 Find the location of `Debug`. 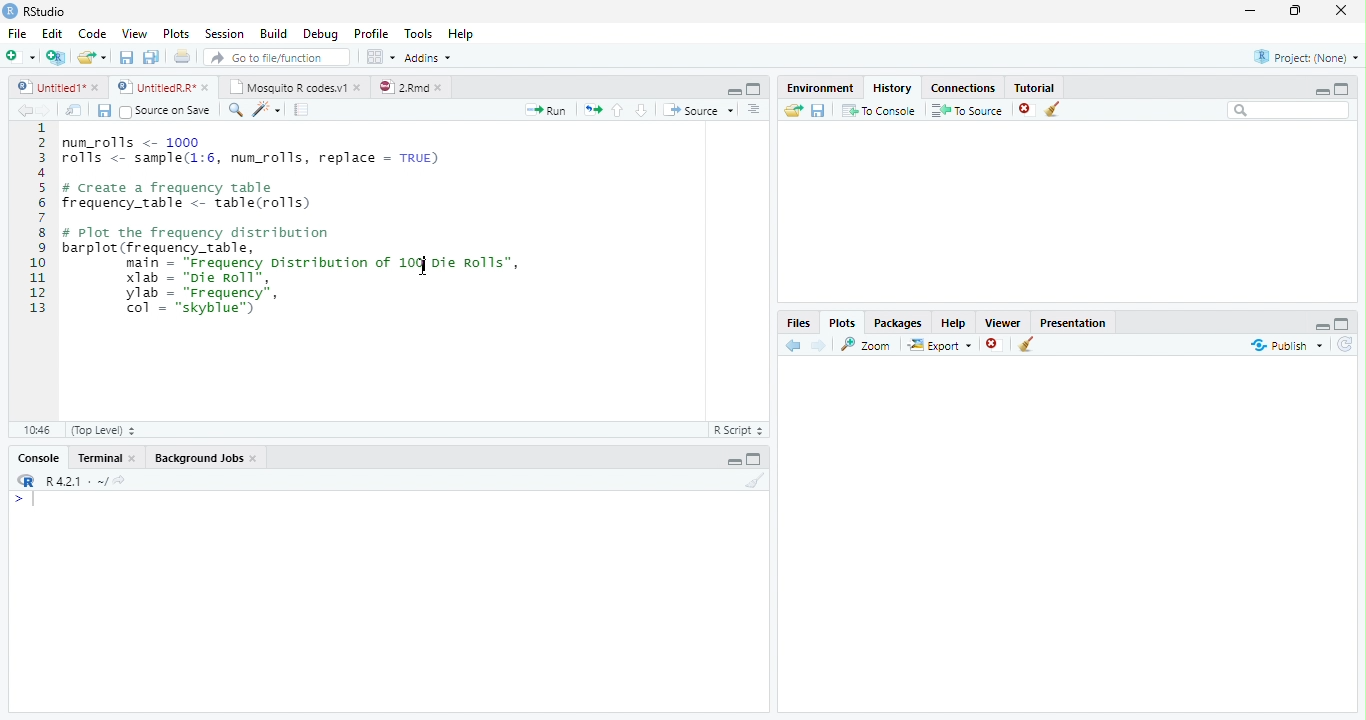

Debug is located at coordinates (321, 33).